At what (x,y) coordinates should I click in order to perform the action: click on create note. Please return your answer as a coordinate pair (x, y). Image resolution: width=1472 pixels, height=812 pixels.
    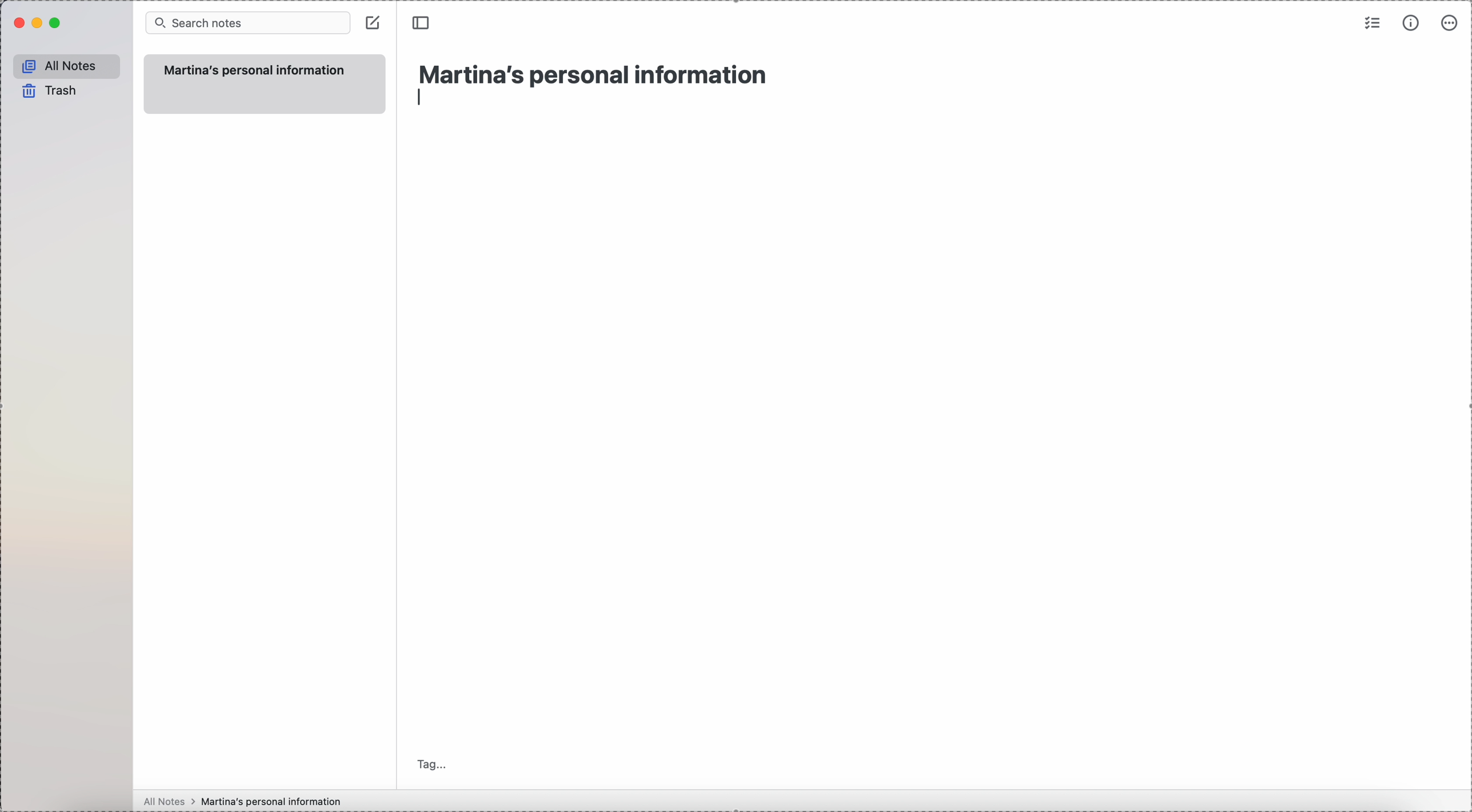
    Looking at the image, I should click on (374, 23).